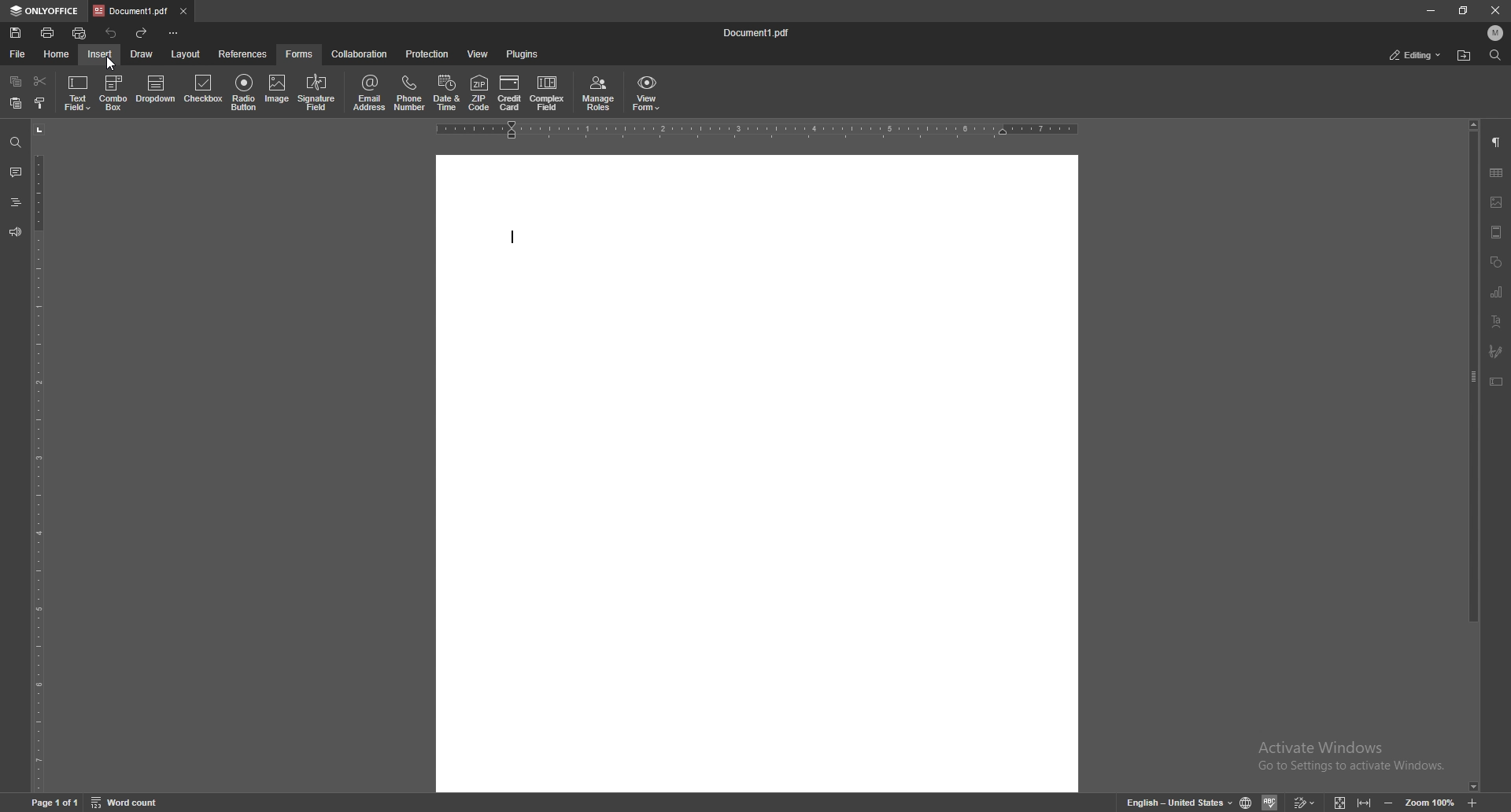 Image resolution: width=1511 pixels, height=812 pixels. Describe the element at coordinates (1306, 802) in the screenshot. I see `track changes` at that location.